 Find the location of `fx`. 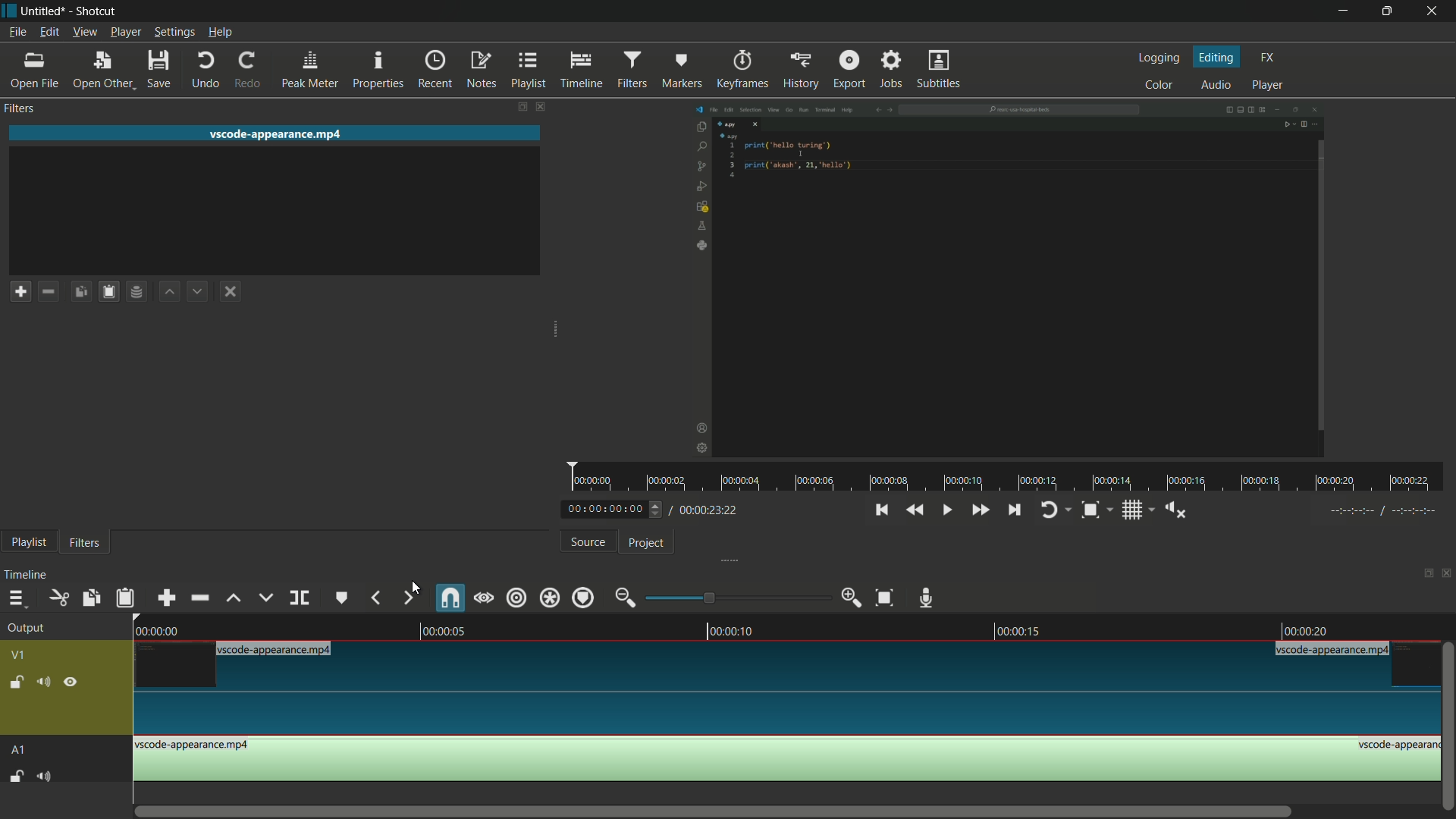

fx is located at coordinates (1267, 58).